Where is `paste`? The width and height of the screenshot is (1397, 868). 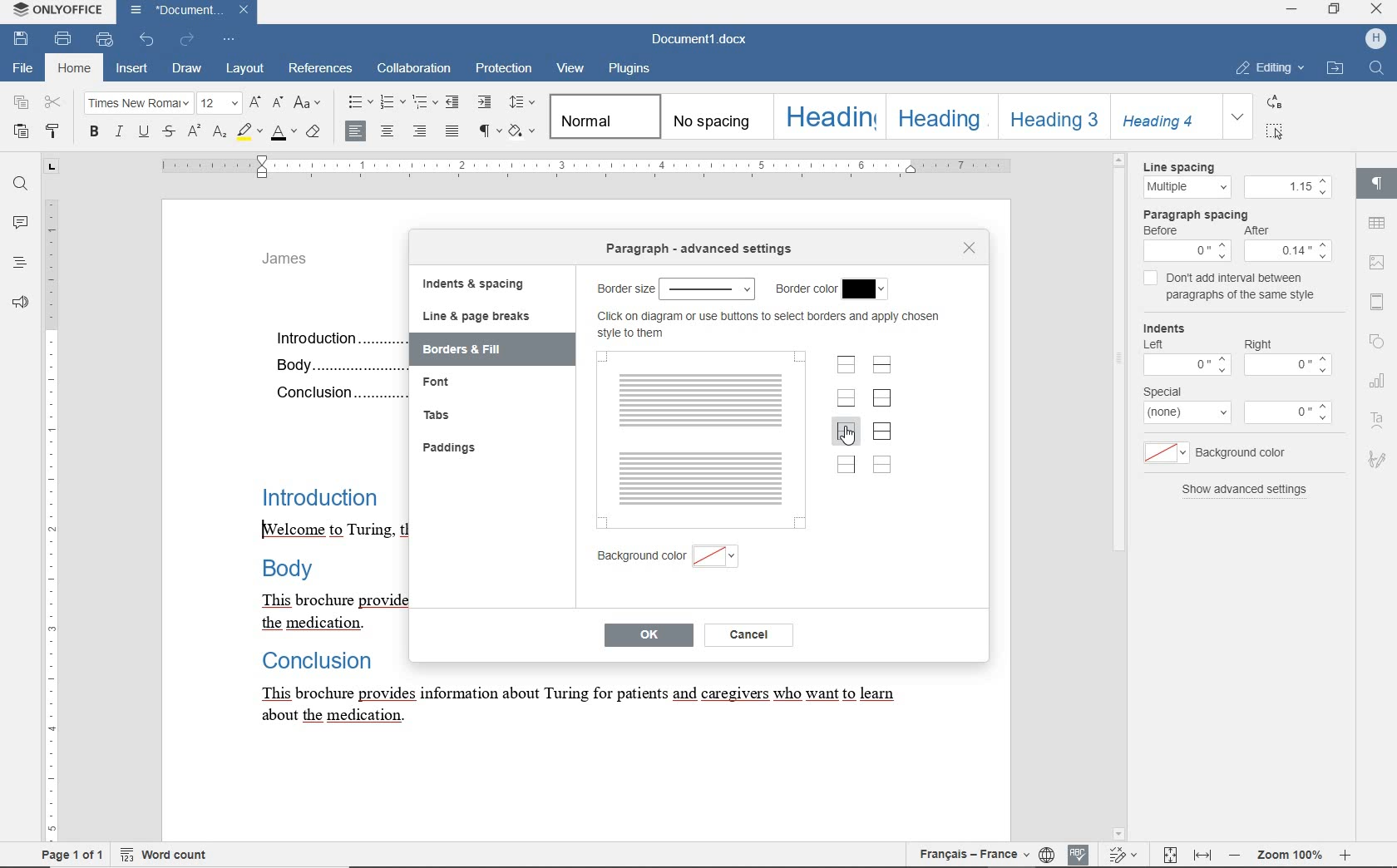 paste is located at coordinates (21, 133).